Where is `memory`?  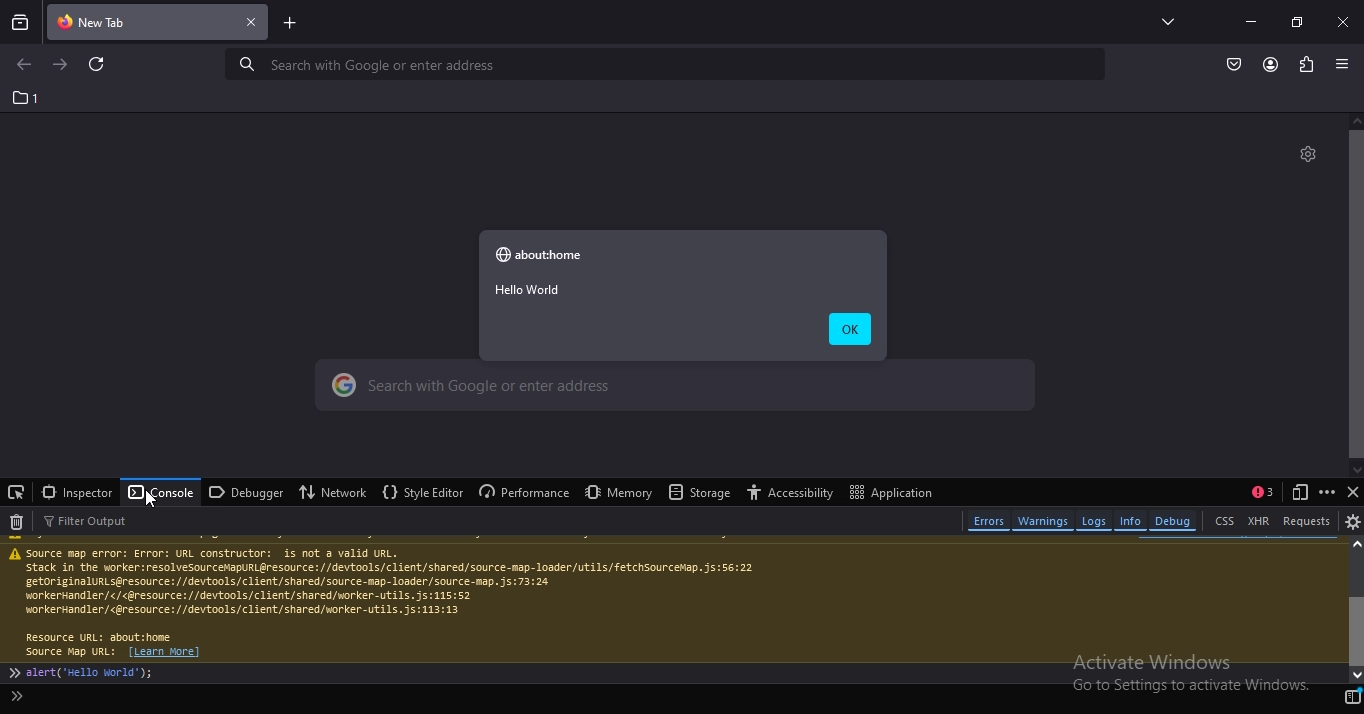
memory is located at coordinates (619, 491).